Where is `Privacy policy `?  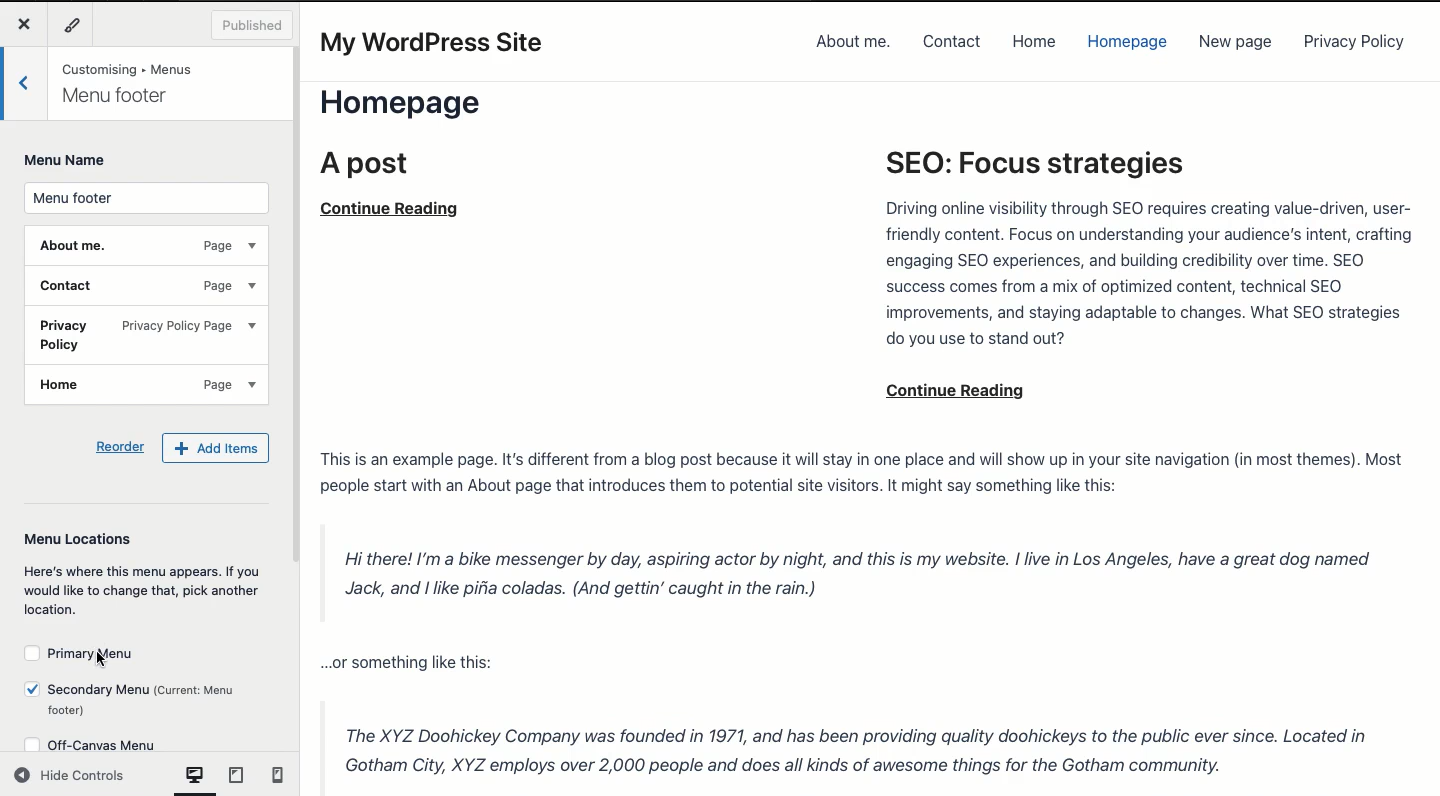
Privacy policy  is located at coordinates (1355, 42).